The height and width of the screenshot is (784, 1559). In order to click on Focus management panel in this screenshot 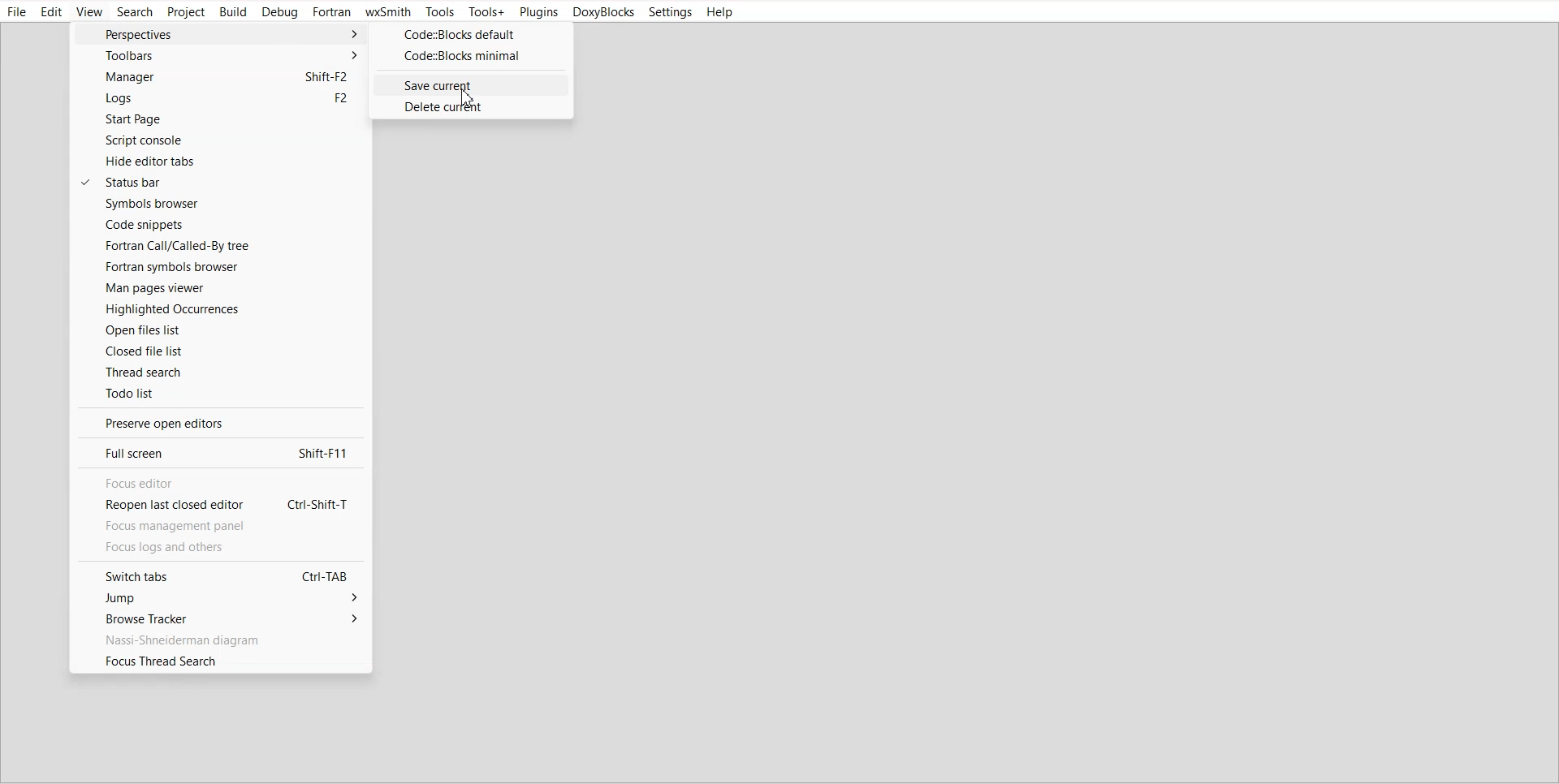, I will do `click(197, 526)`.